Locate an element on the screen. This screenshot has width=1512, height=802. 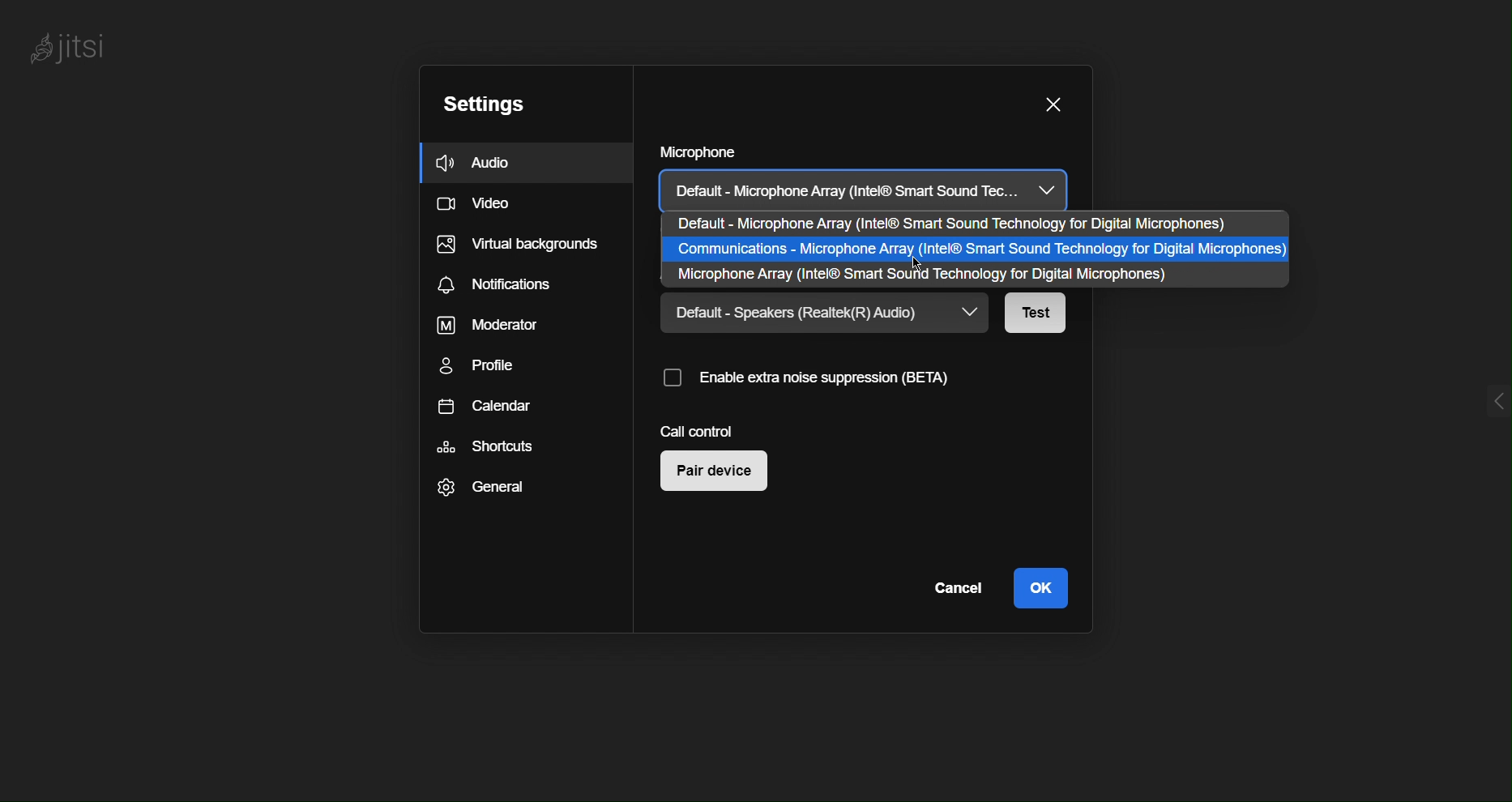
Default - Speakers (Realtek(R) Audio) is located at coordinates (824, 311).